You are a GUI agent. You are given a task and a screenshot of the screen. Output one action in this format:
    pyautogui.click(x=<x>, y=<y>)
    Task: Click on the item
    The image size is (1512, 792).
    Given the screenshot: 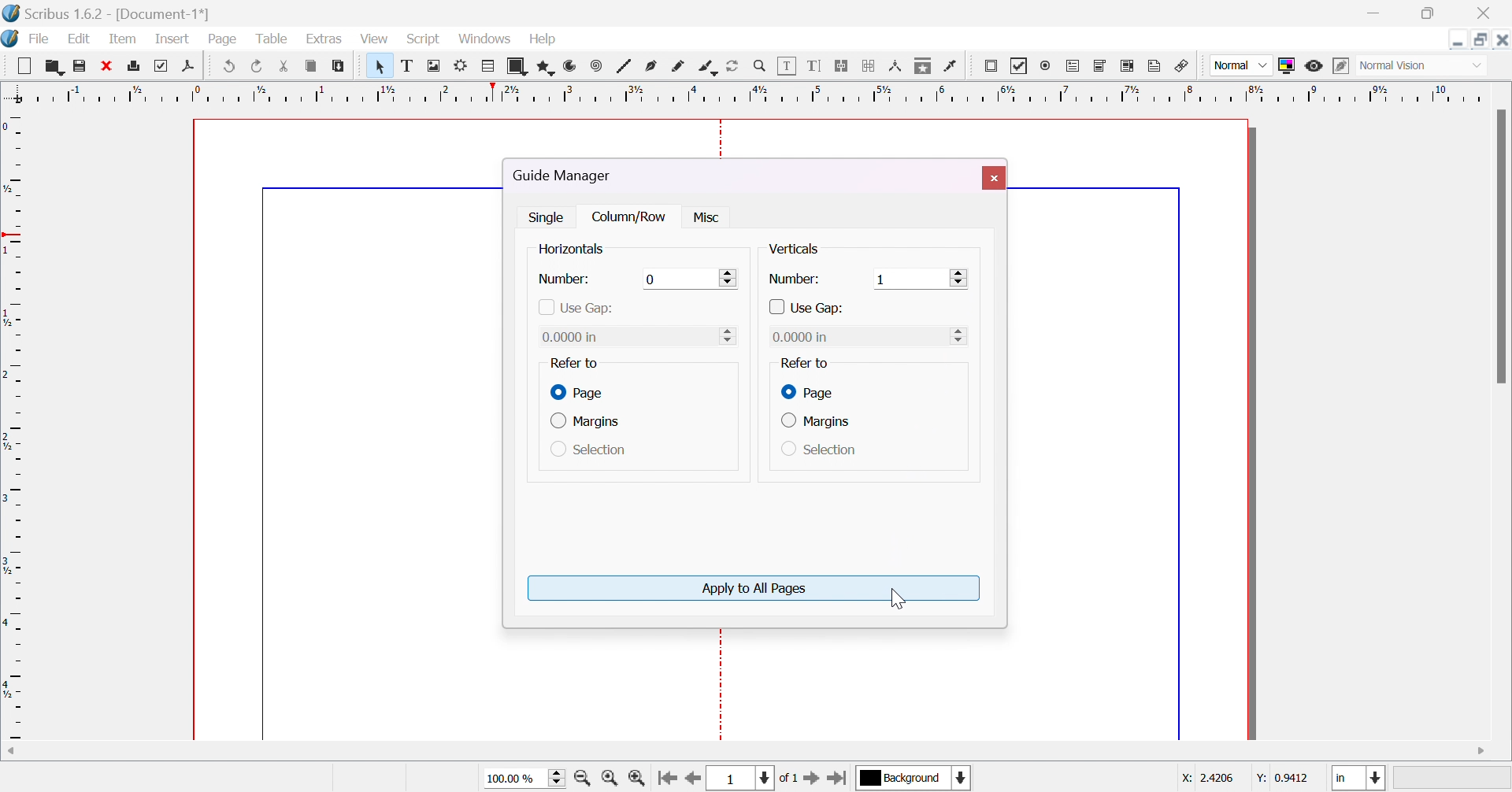 What is the action you would take?
    pyautogui.click(x=124, y=38)
    